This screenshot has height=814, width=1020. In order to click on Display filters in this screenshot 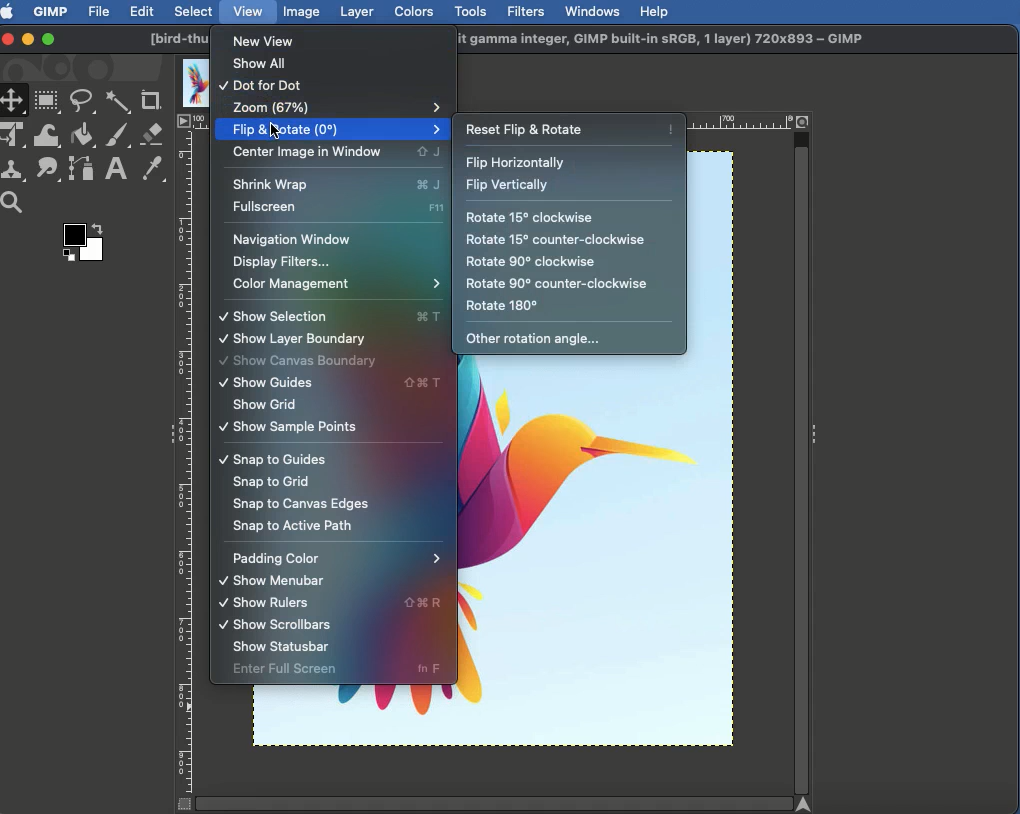, I will do `click(283, 263)`.